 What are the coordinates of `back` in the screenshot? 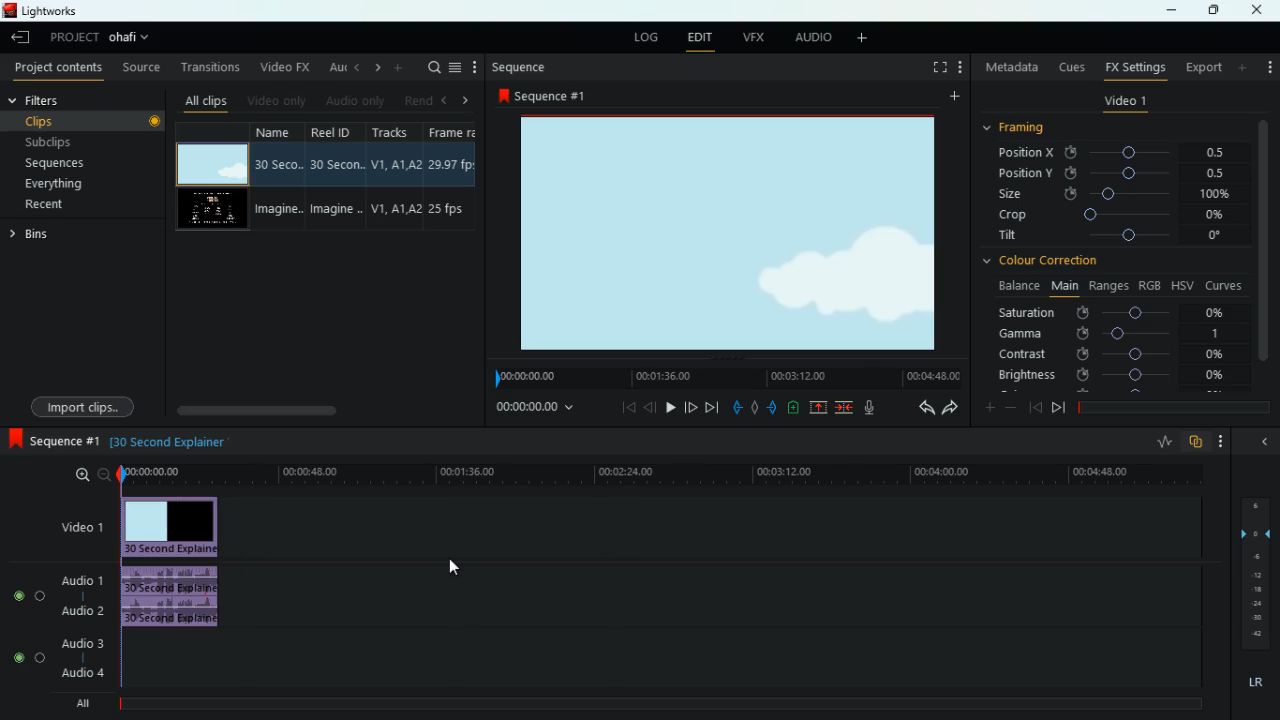 It's located at (919, 408).